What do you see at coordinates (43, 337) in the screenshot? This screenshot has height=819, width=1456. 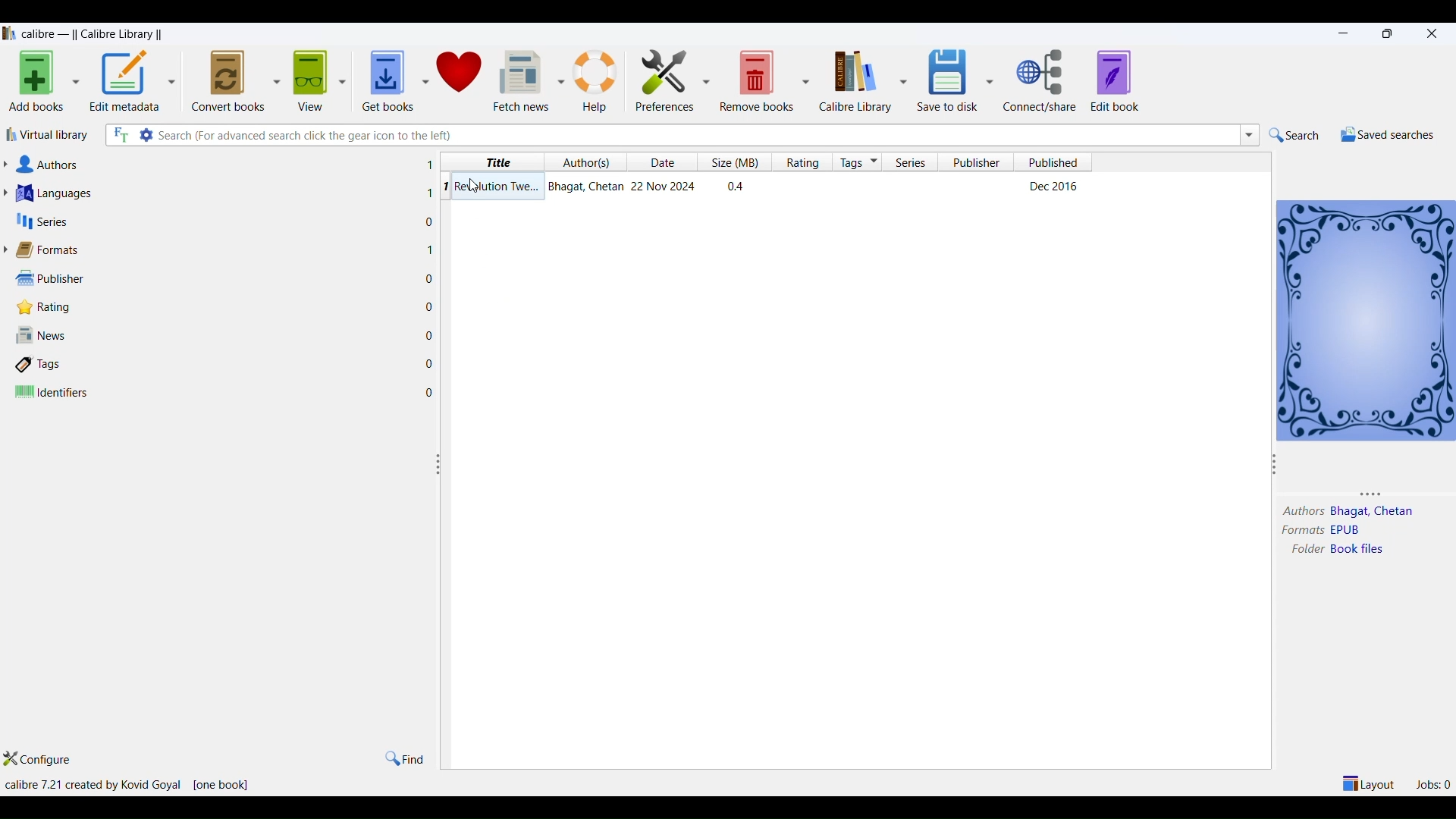 I see `news` at bounding box center [43, 337].